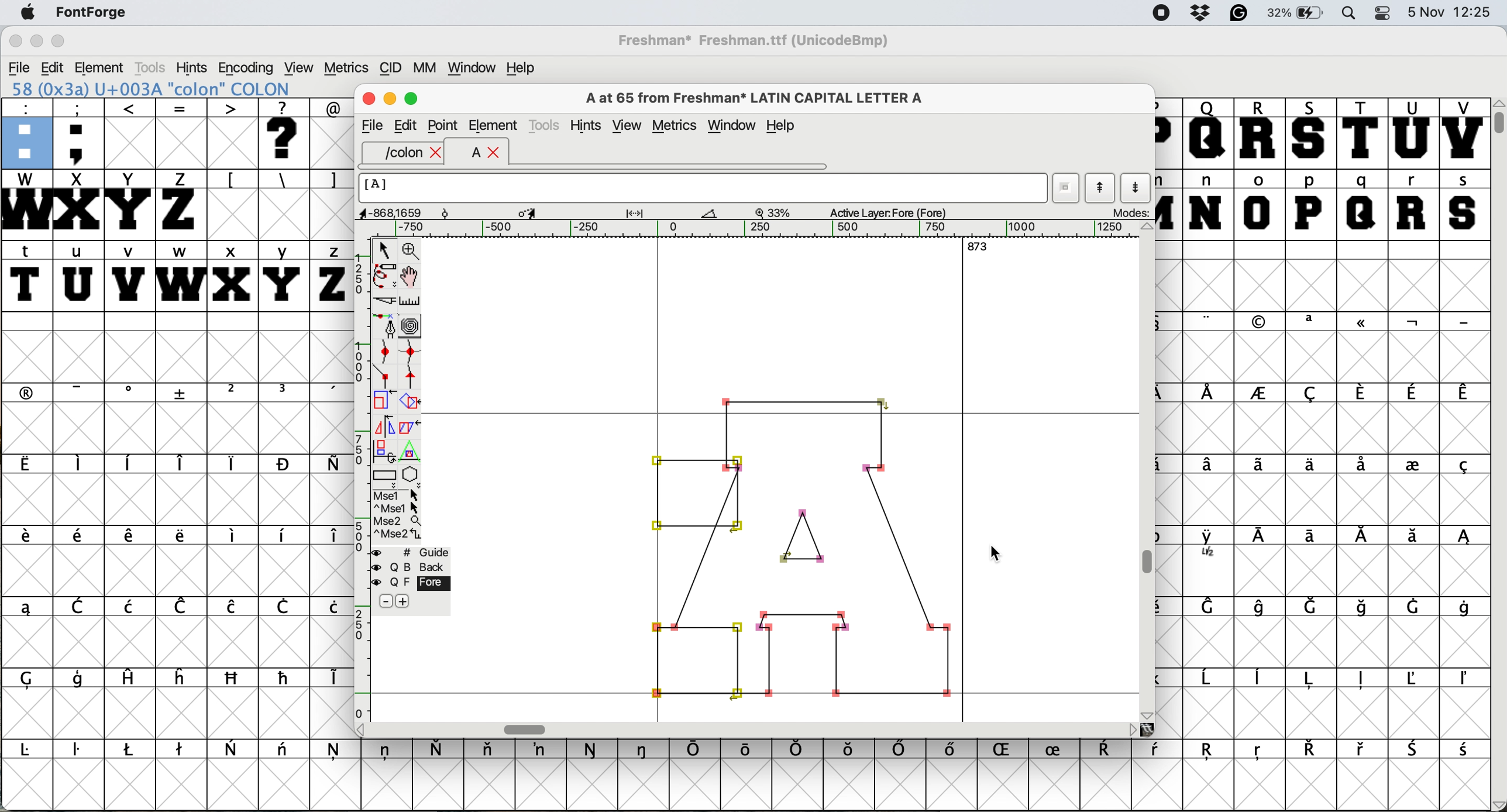 The height and width of the screenshot is (812, 1507). I want to click on symbol, so click(645, 749).